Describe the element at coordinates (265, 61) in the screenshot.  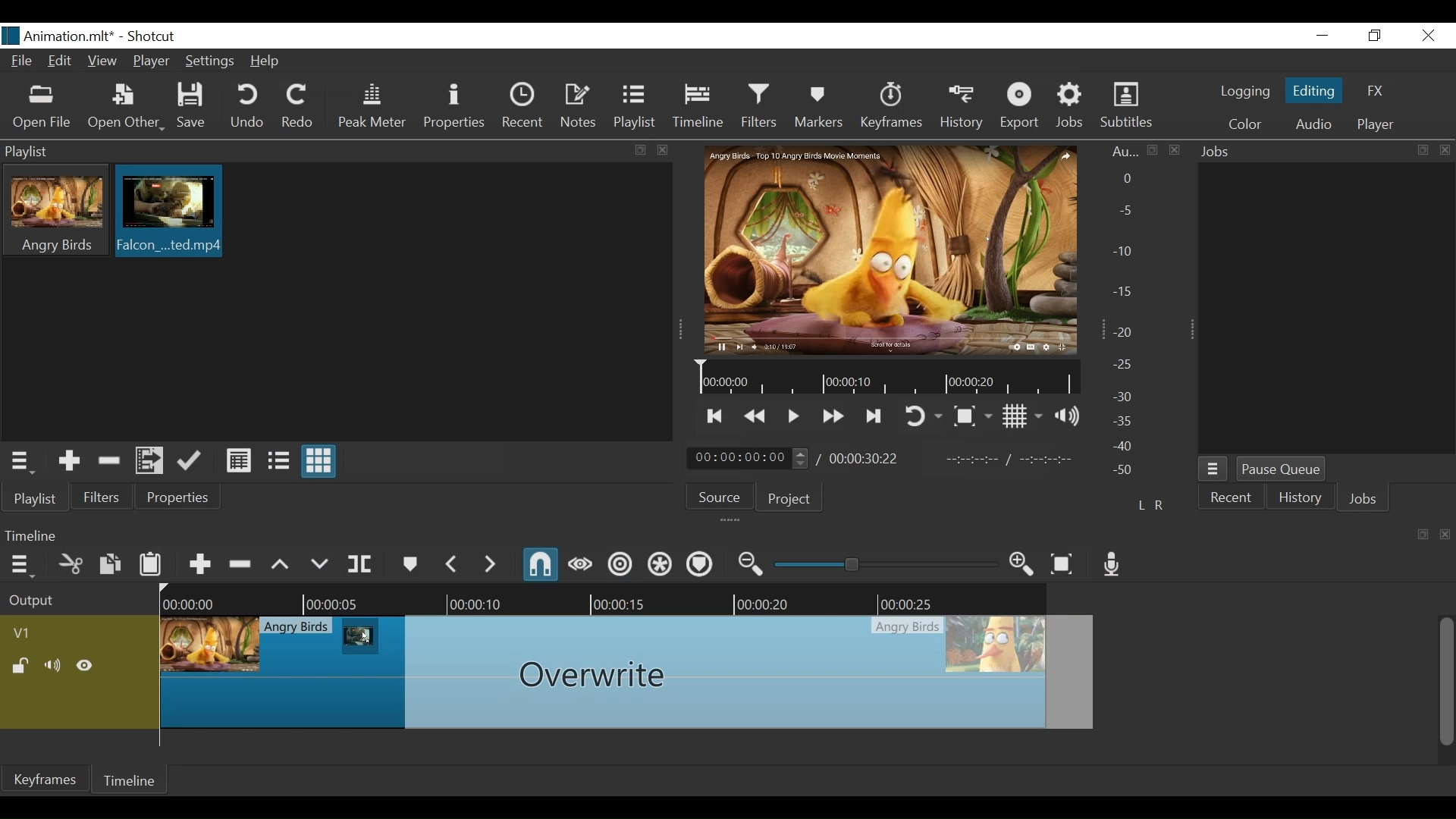
I see `Help` at that location.